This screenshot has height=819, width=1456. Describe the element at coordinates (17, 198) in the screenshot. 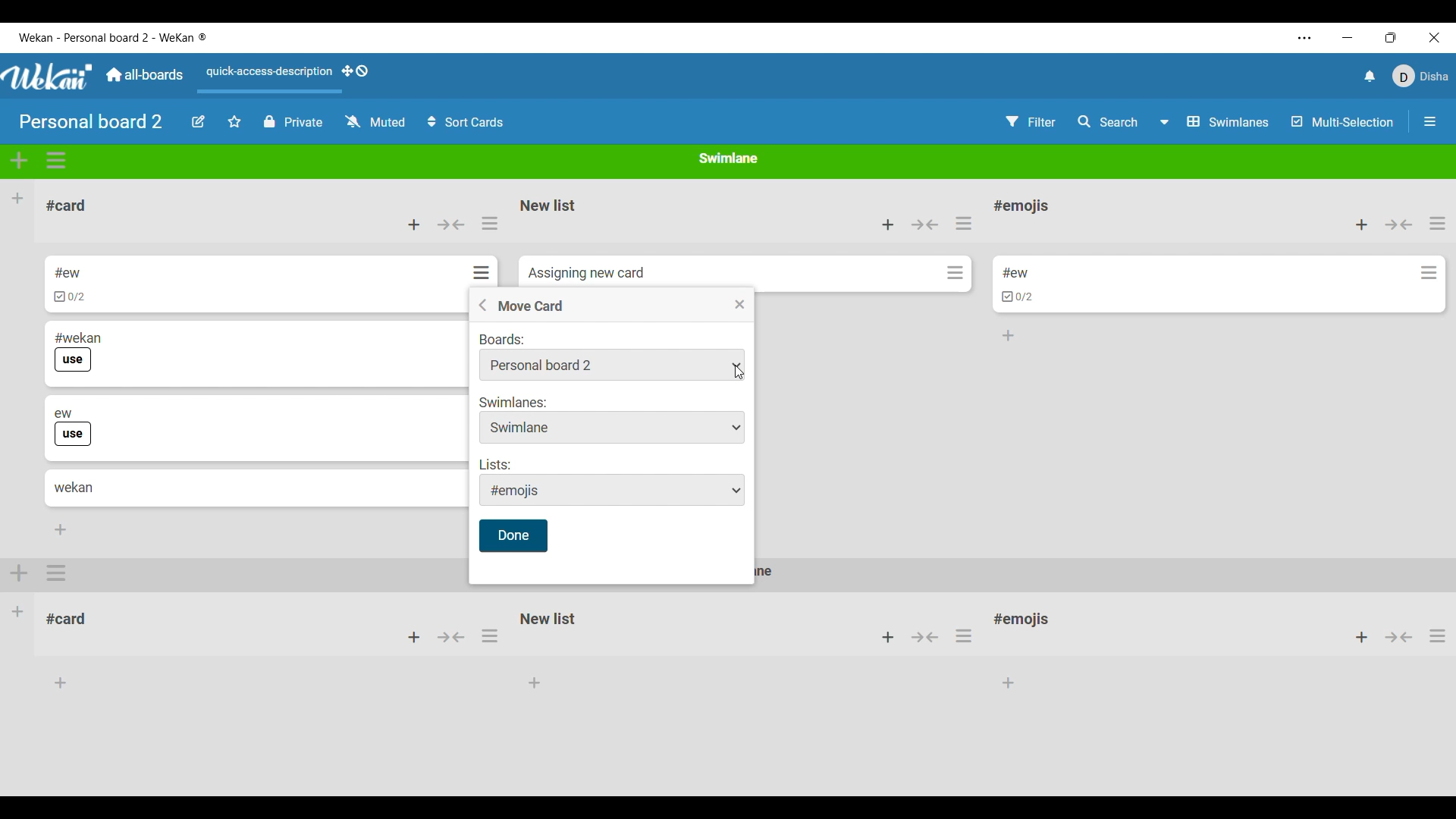

I see `Add list` at that location.